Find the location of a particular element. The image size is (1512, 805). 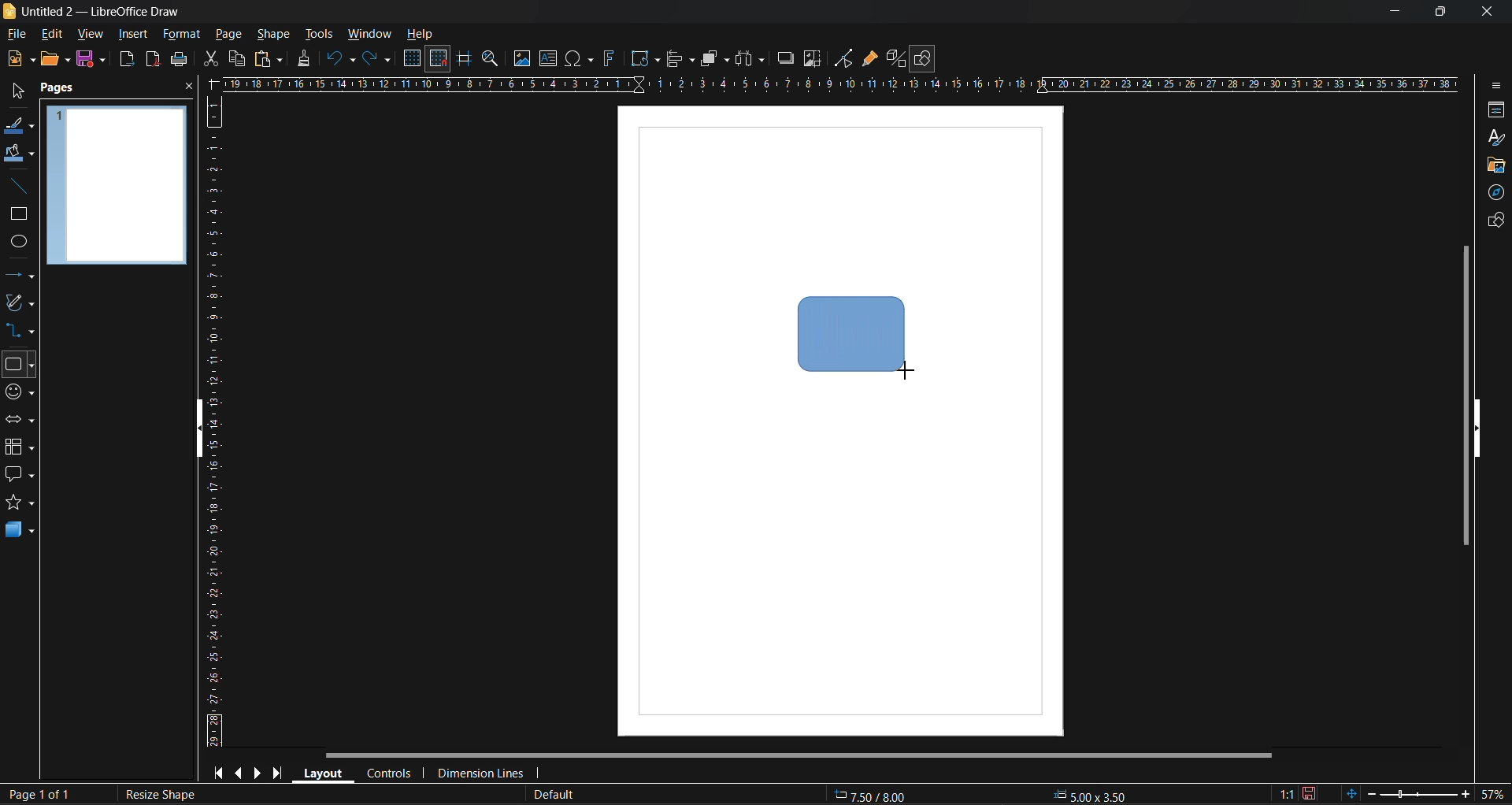

zoom slider is located at coordinates (1416, 793).